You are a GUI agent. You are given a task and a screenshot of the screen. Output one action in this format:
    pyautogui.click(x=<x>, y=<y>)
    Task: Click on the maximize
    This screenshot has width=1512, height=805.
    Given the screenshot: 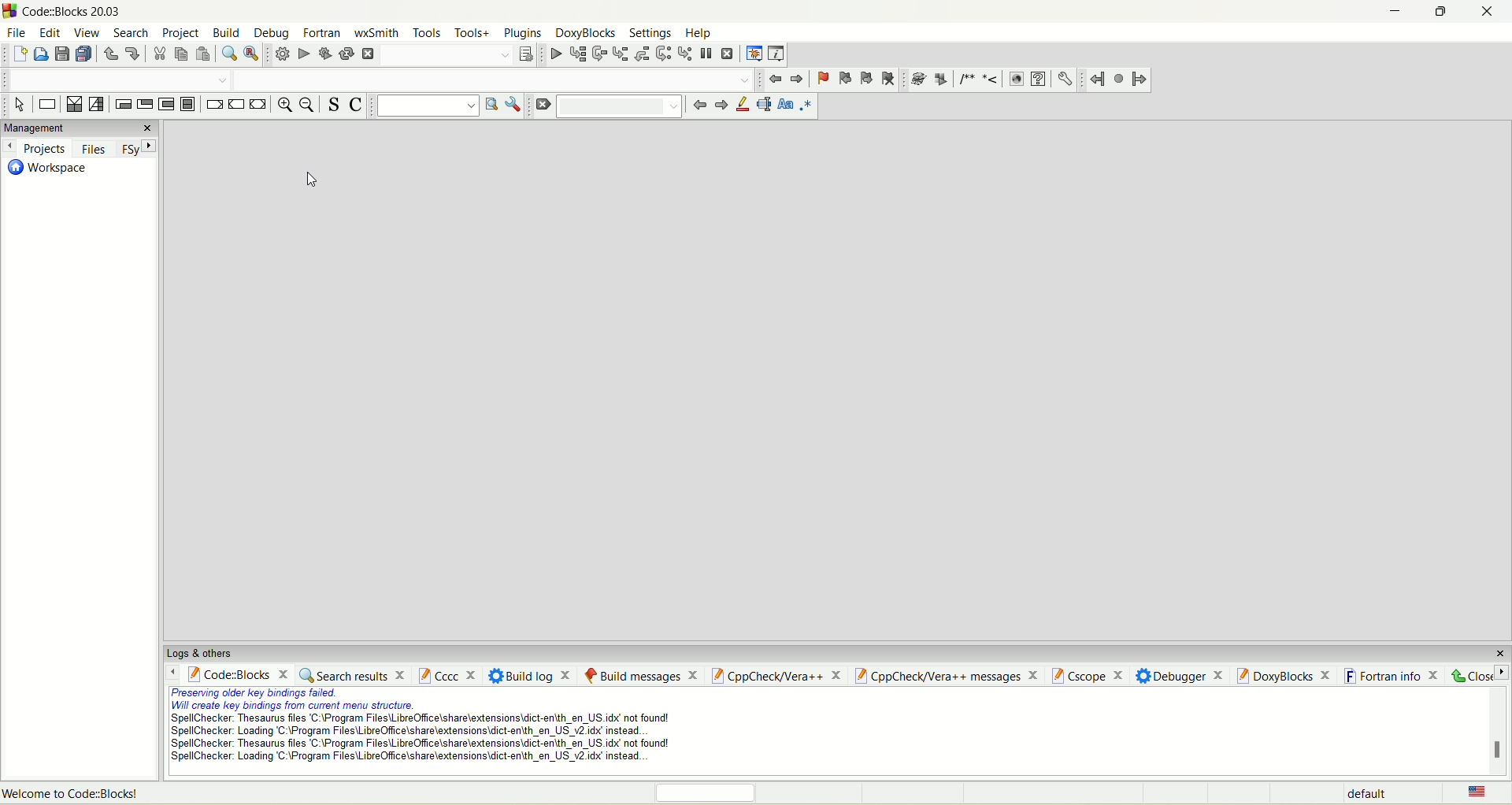 What is the action you would take?
    pyautogui.click(x=1440, y=14)
    